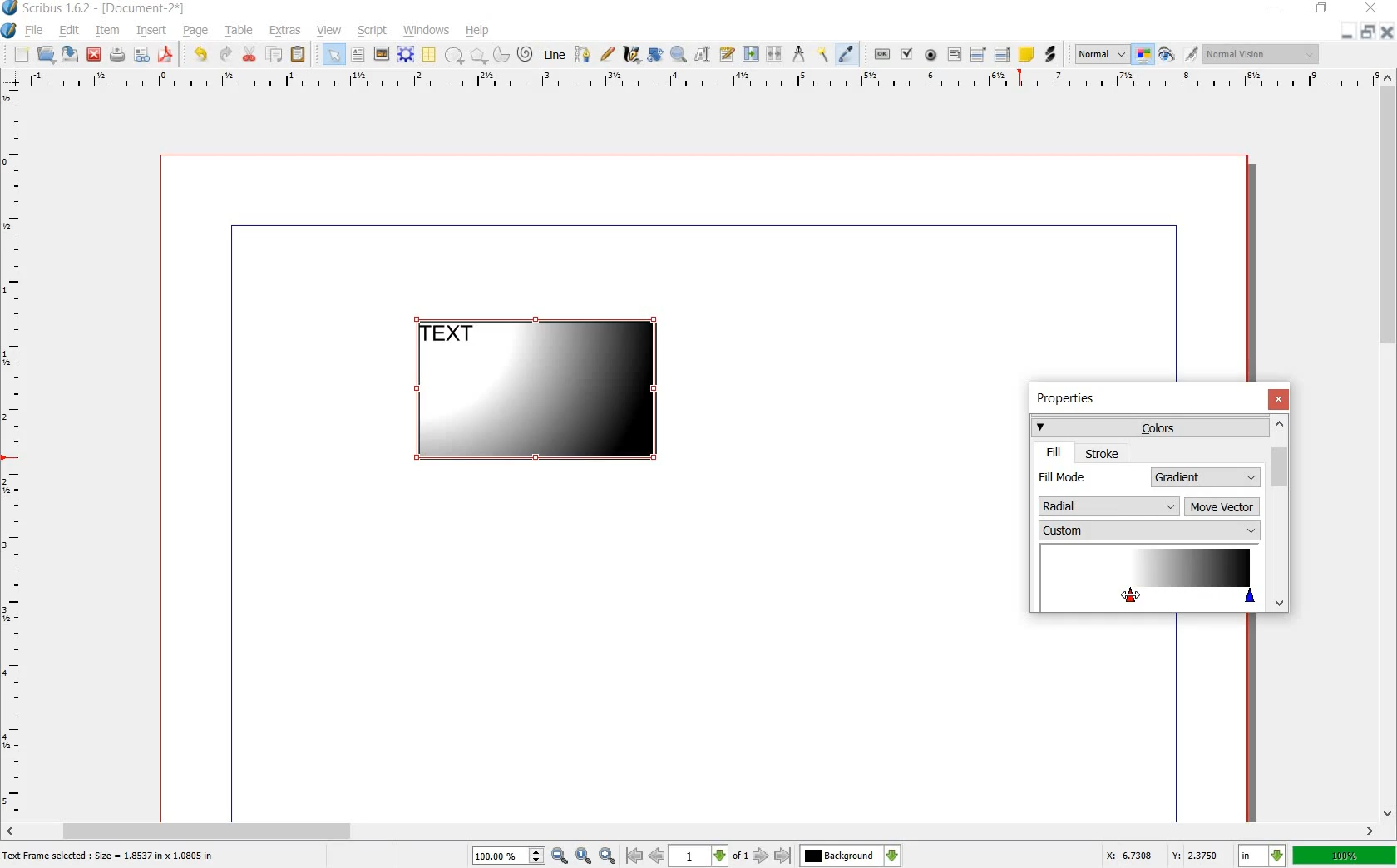  I want to click on stroke, so click(1103, 453).